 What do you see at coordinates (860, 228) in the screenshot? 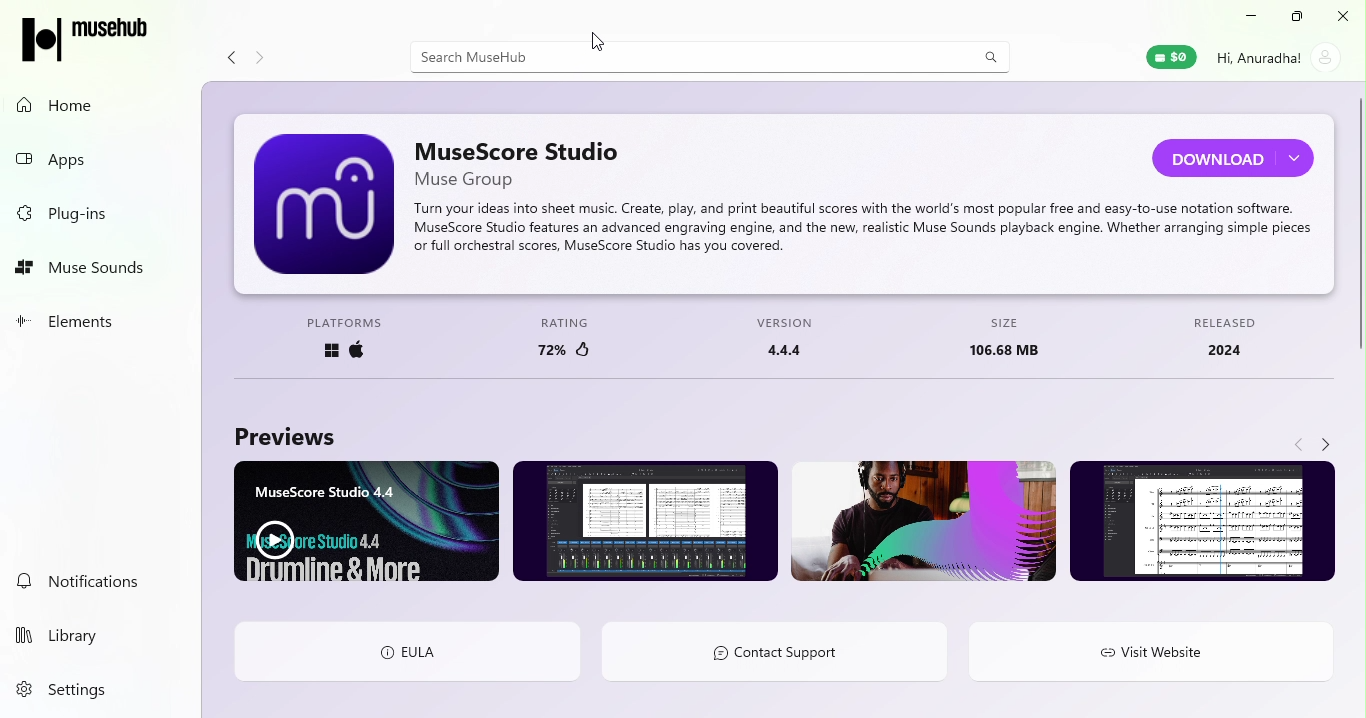
I see `text` at bounding box center [860, 228].